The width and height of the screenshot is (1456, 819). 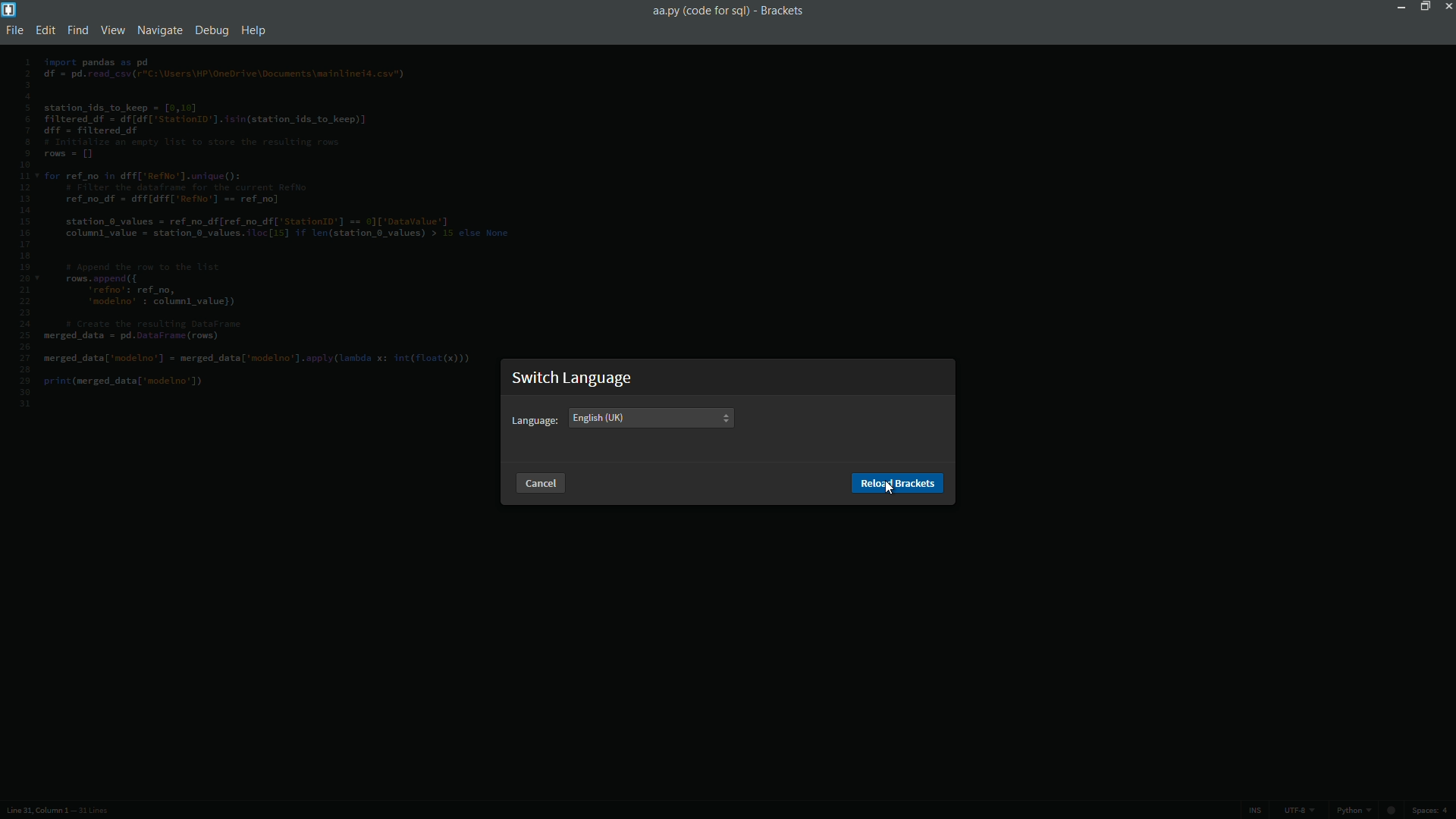 What do you see at coordinates (574, 378) in the screenshot?
I see `switch language` at bounding box center [574, 378].